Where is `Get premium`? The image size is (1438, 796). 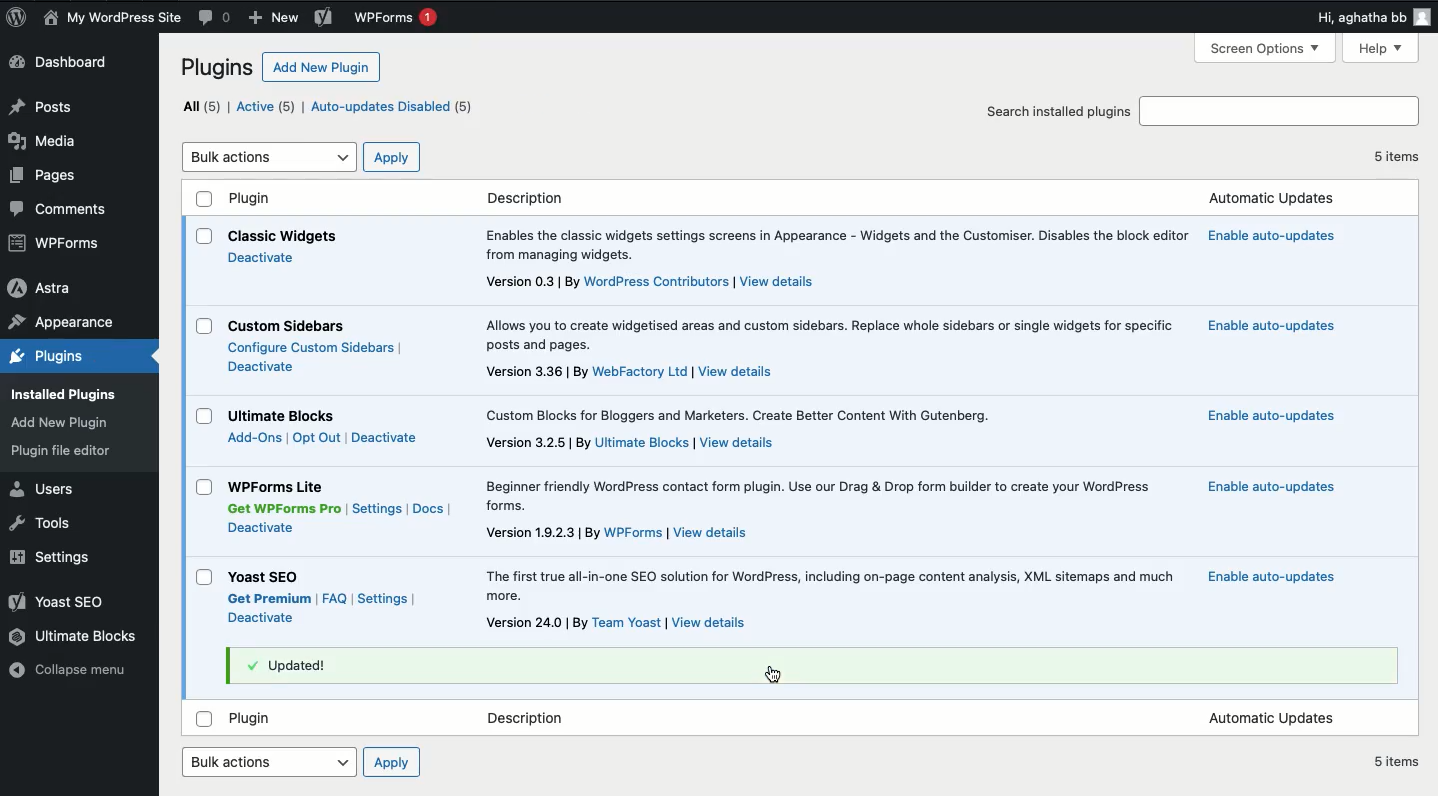
Get premium is located at coordinates (268, 599).